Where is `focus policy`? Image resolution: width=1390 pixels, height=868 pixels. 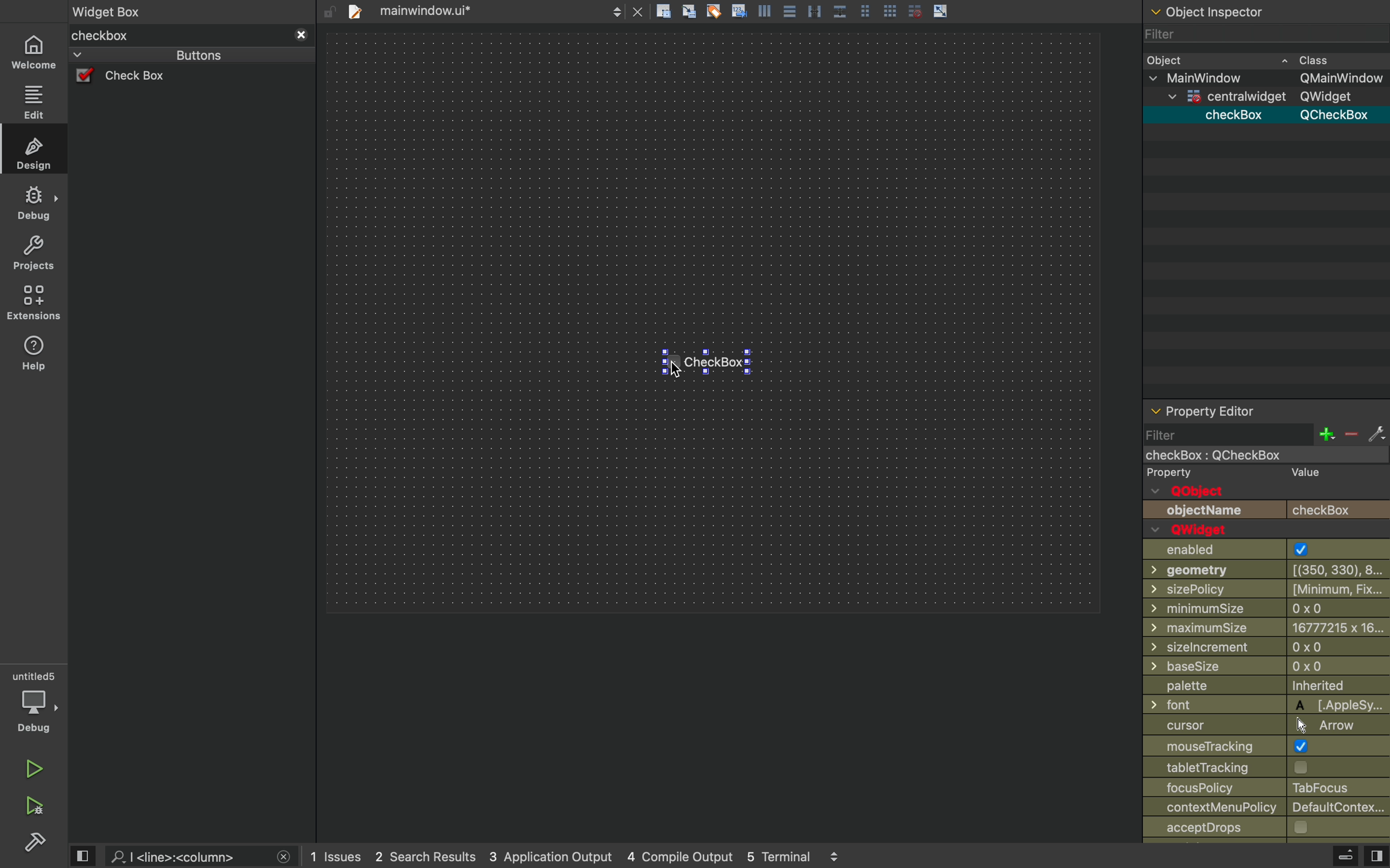 focus policy is located at coordinates (1260, 788).